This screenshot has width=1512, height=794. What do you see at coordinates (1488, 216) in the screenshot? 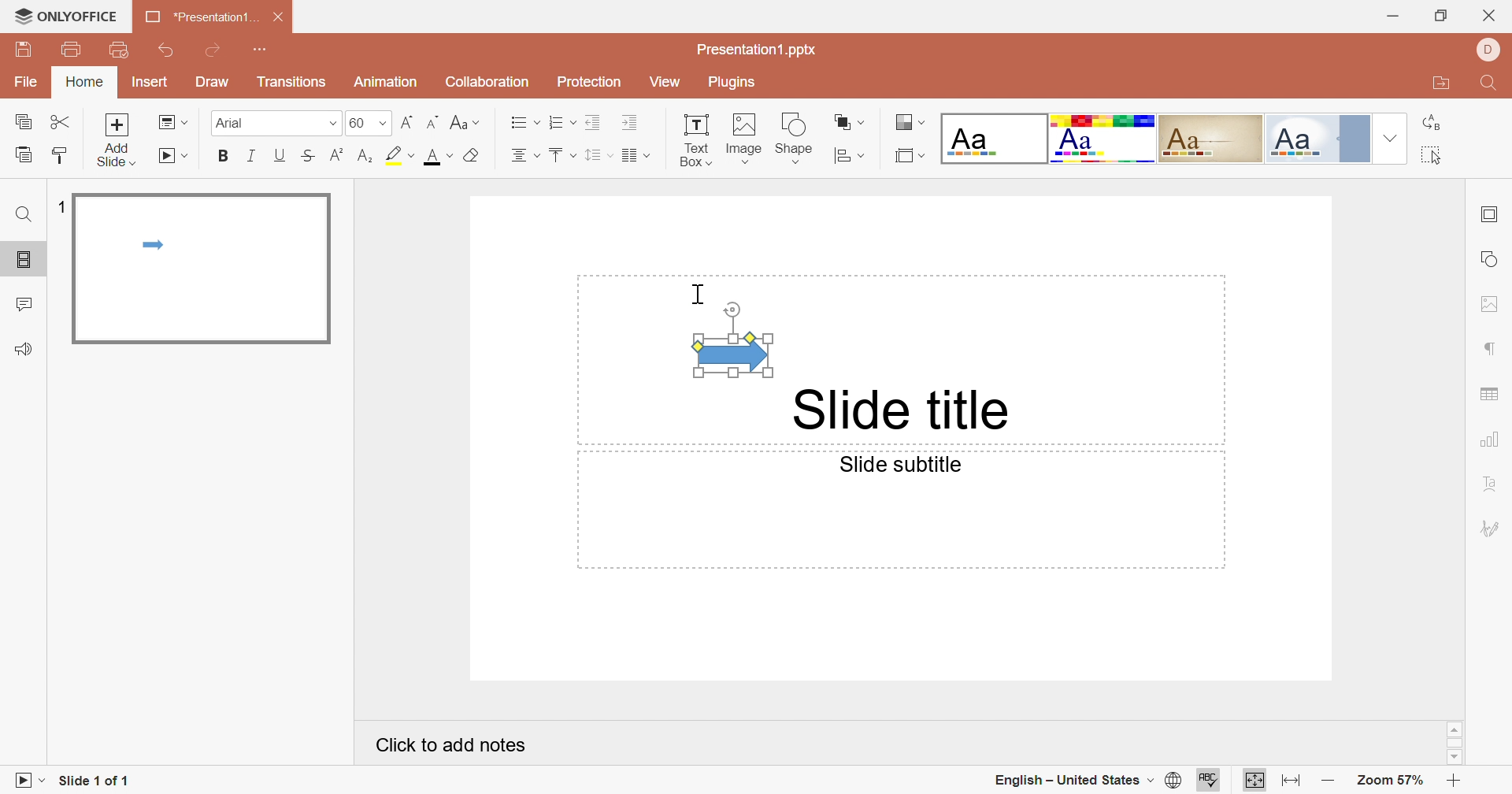
I see `Slide settings` at bounding box center [1488, 216].